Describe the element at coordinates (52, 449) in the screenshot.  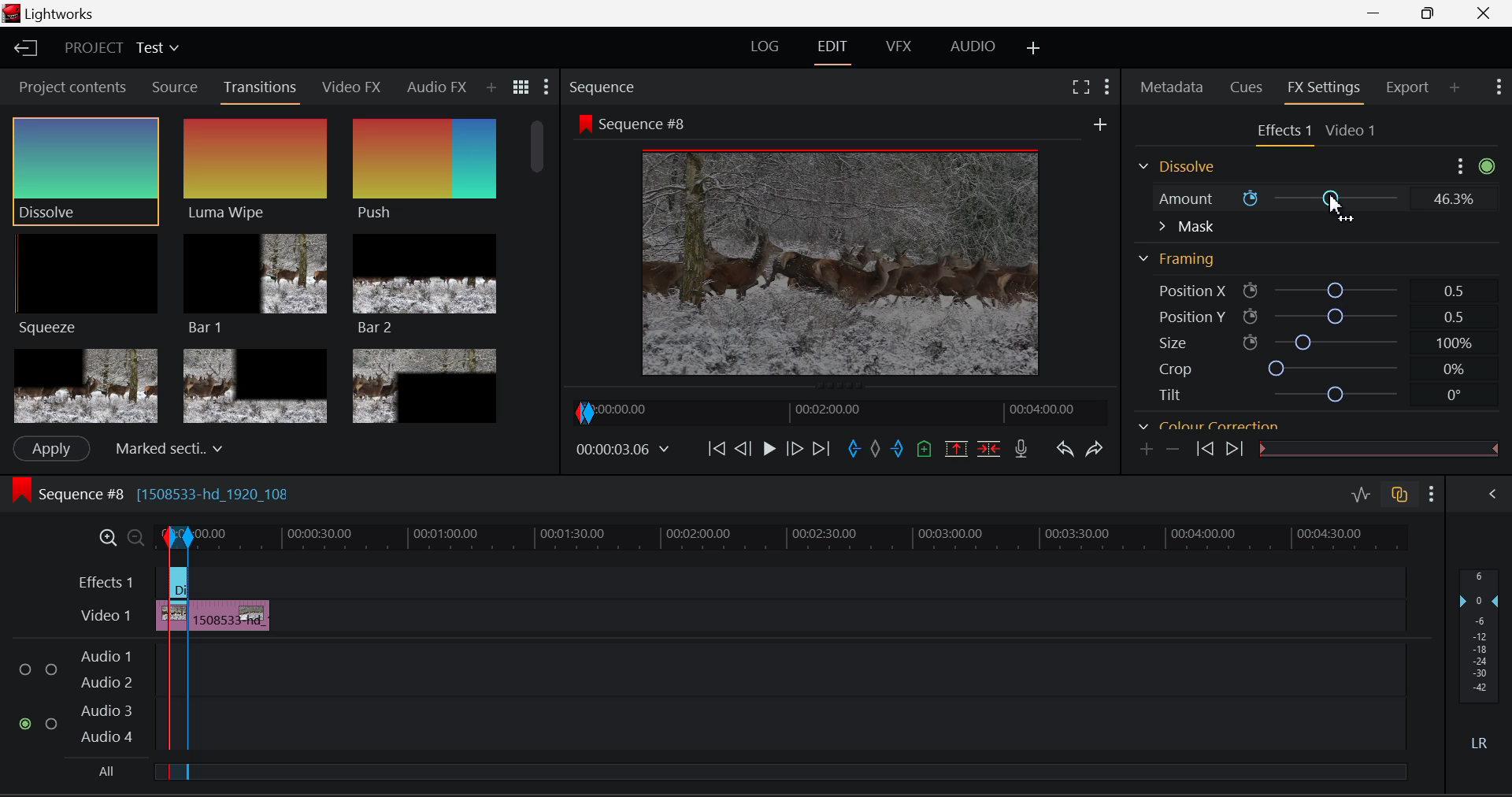
I see `Apply` at that location.